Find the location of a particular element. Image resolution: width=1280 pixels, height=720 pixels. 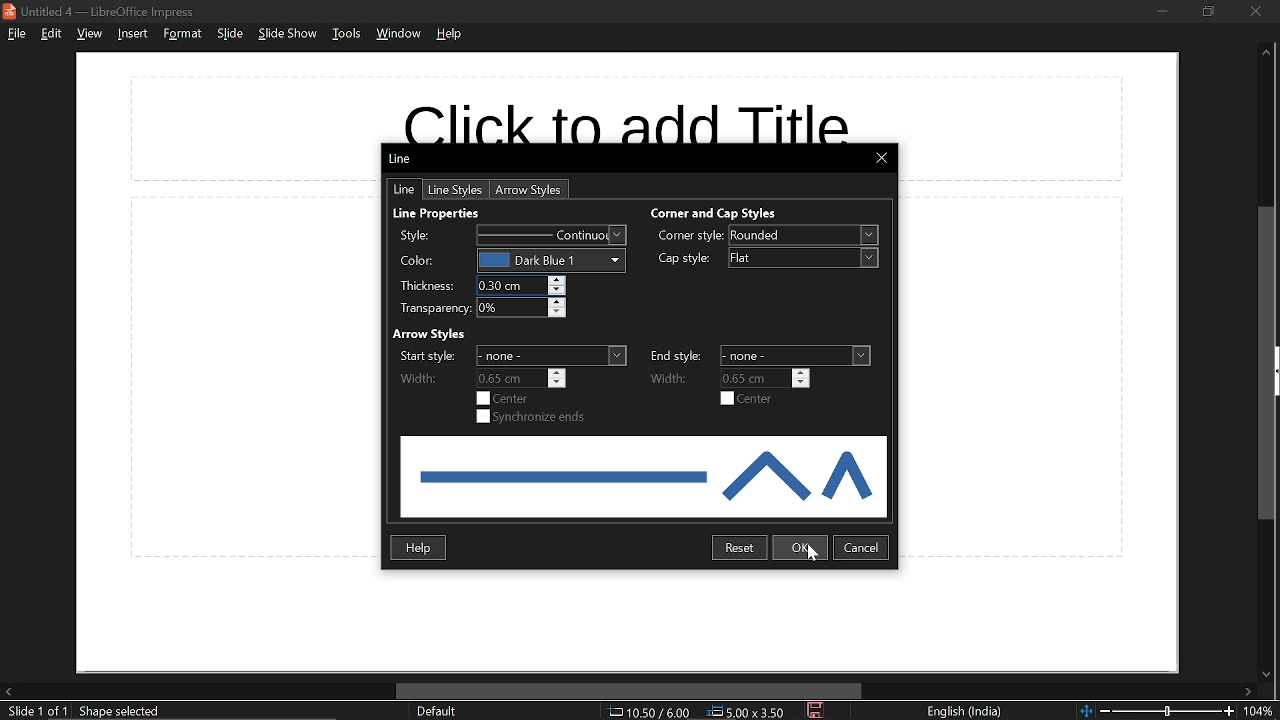

move left is located at coordinates (8, 690).